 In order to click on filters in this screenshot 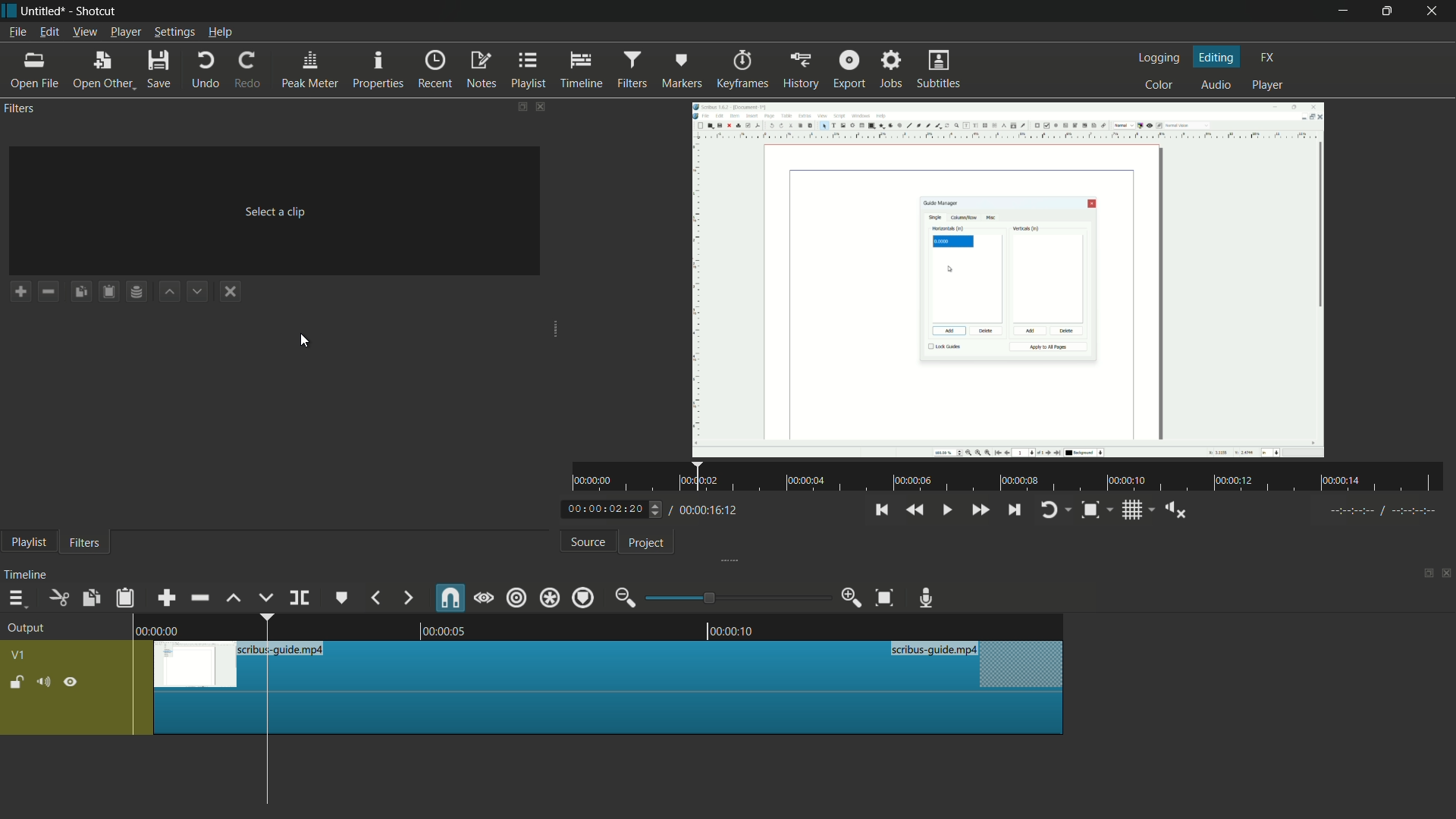, I will do `click(634, 70)`.